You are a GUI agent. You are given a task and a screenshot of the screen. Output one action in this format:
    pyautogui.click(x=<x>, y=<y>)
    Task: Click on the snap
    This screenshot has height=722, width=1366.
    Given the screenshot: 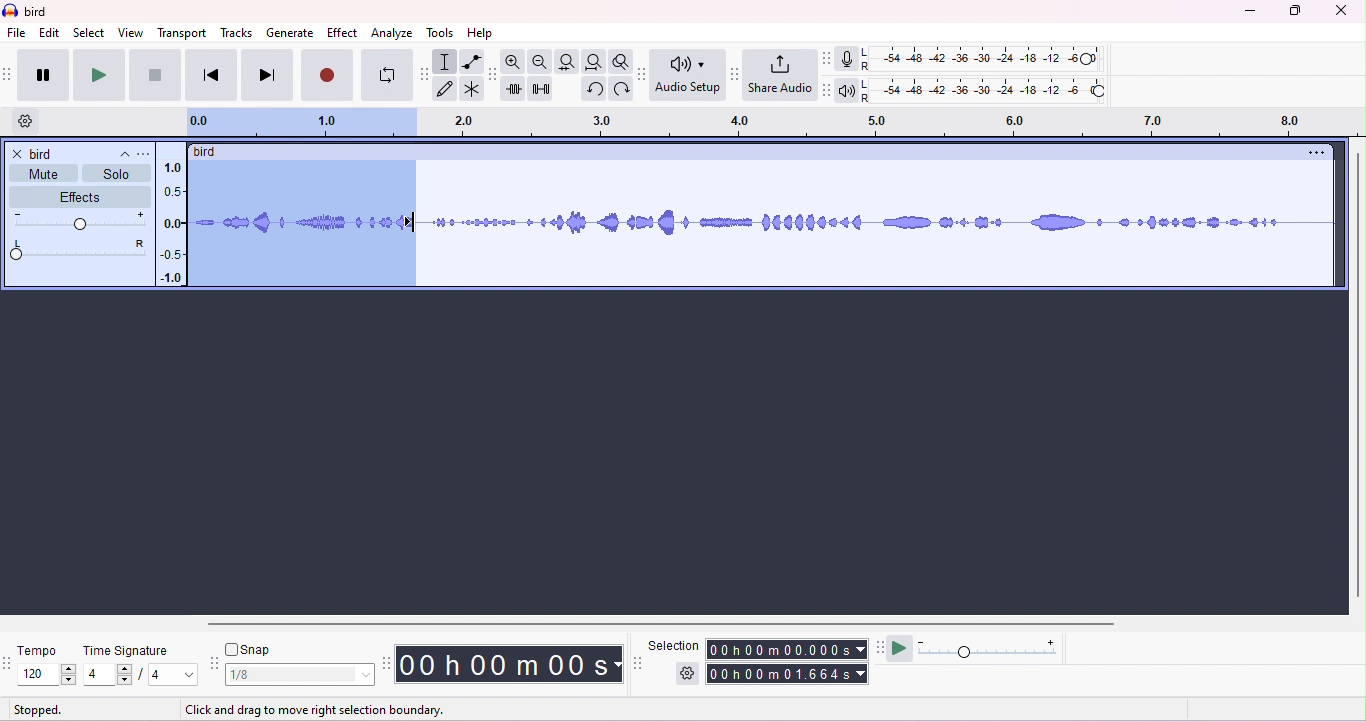 What is the action you would take?
    pyautogui.click(x=249, y=648)
    